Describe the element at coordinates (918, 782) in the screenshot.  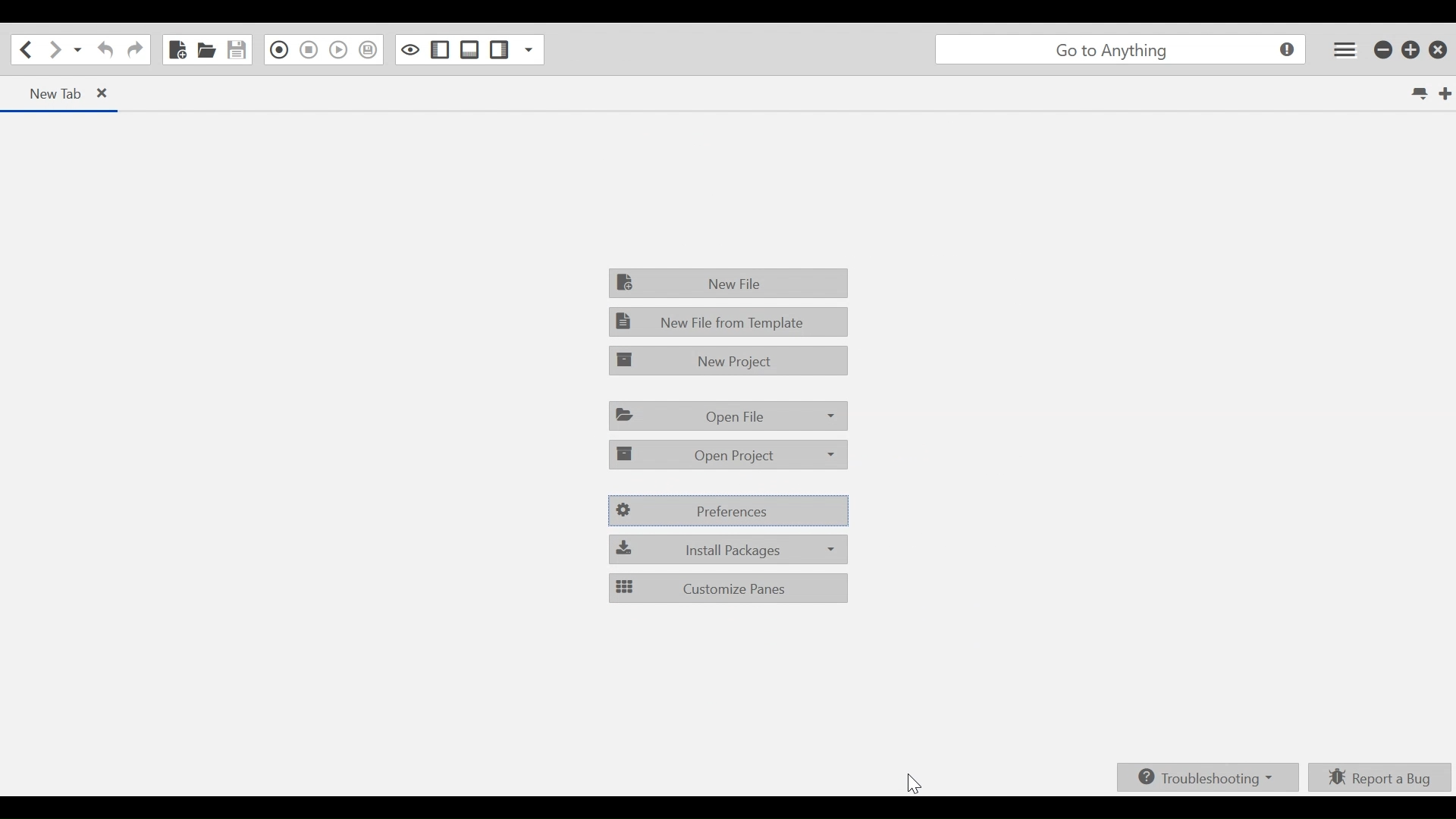
I see `cursor` at that location.